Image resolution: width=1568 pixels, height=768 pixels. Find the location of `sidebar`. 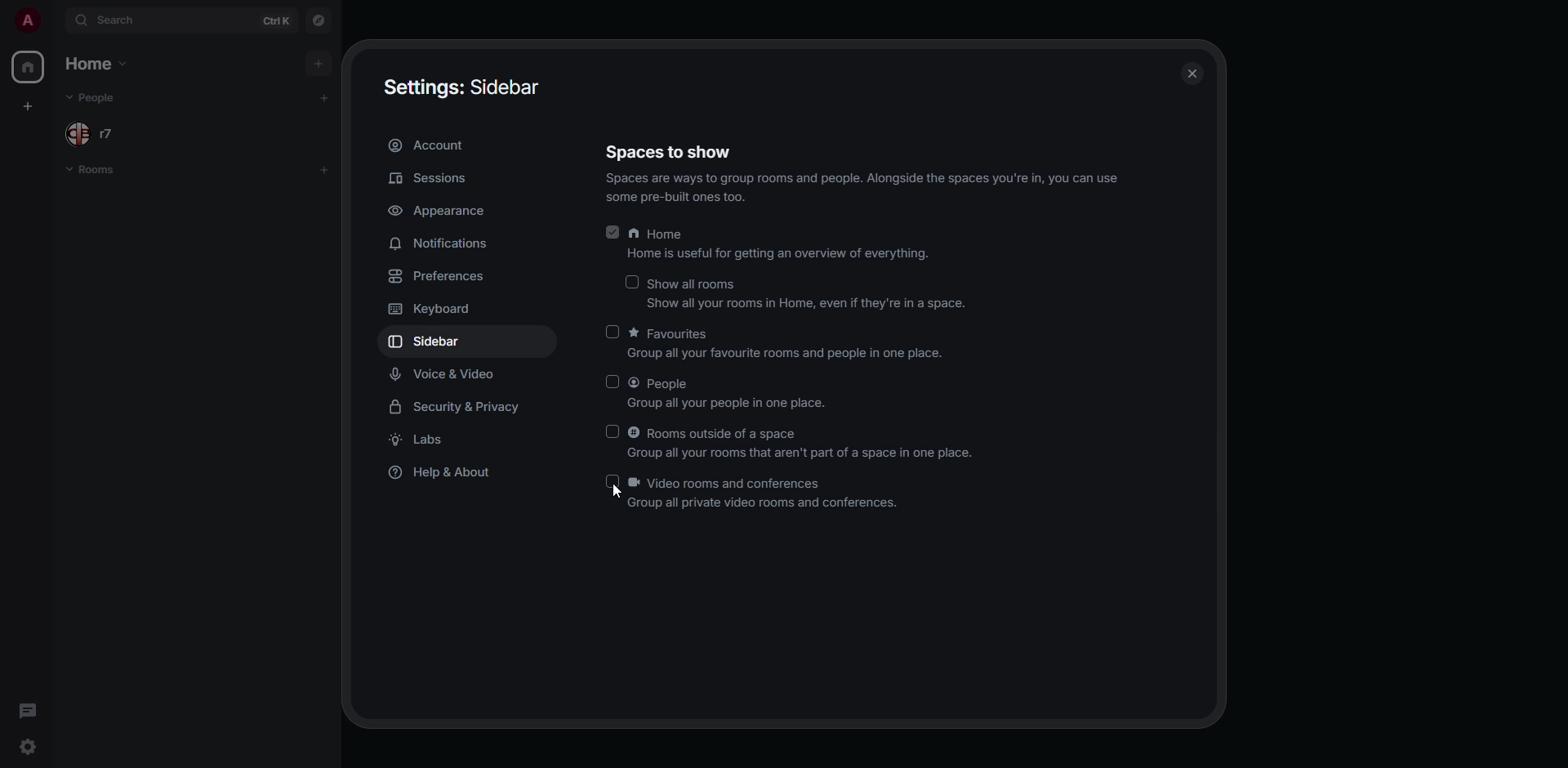

sidebar is located at coordinates (430, 342).